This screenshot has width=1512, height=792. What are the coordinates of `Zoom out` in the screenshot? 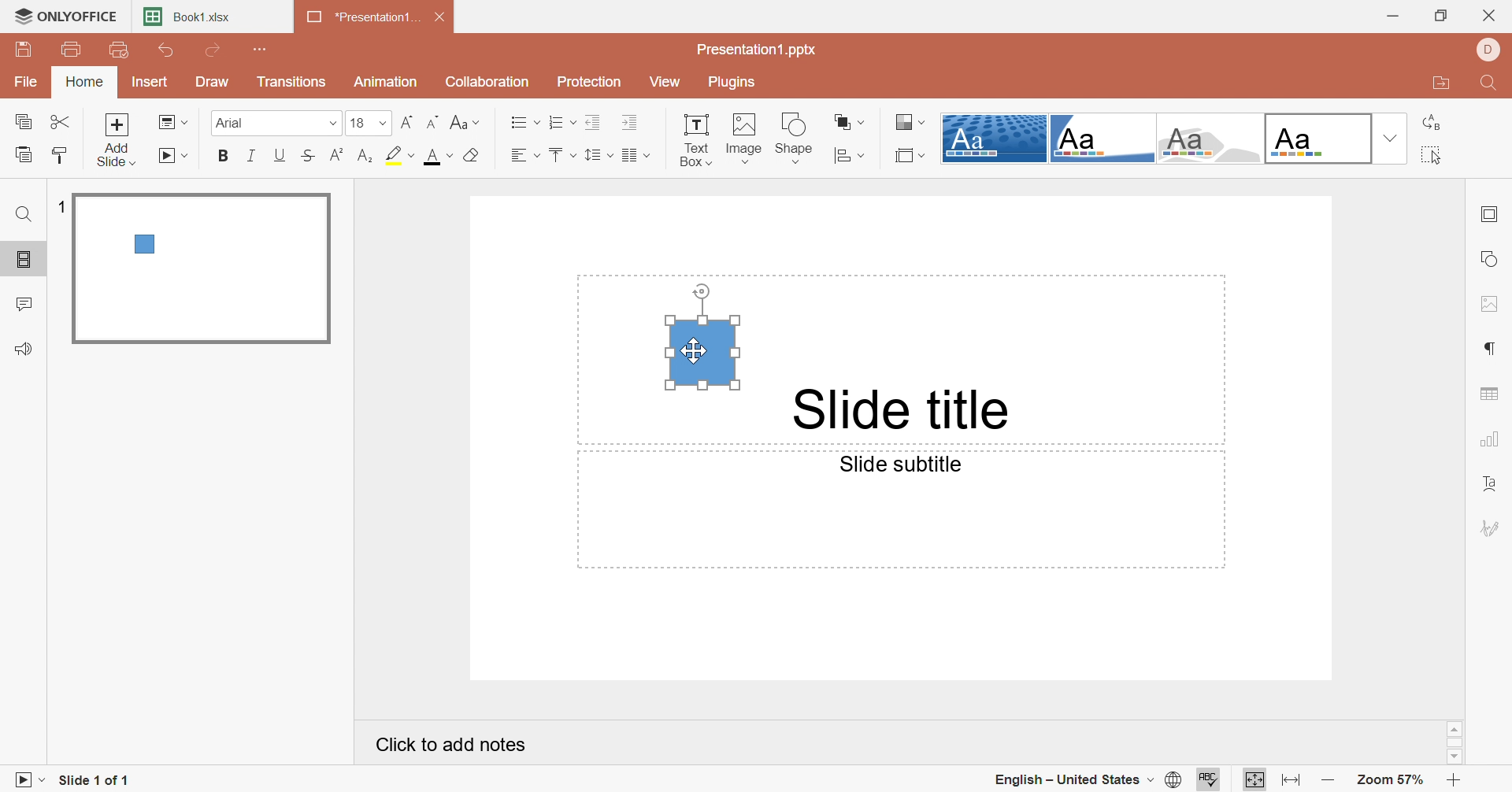 It's located at (1329, 778).